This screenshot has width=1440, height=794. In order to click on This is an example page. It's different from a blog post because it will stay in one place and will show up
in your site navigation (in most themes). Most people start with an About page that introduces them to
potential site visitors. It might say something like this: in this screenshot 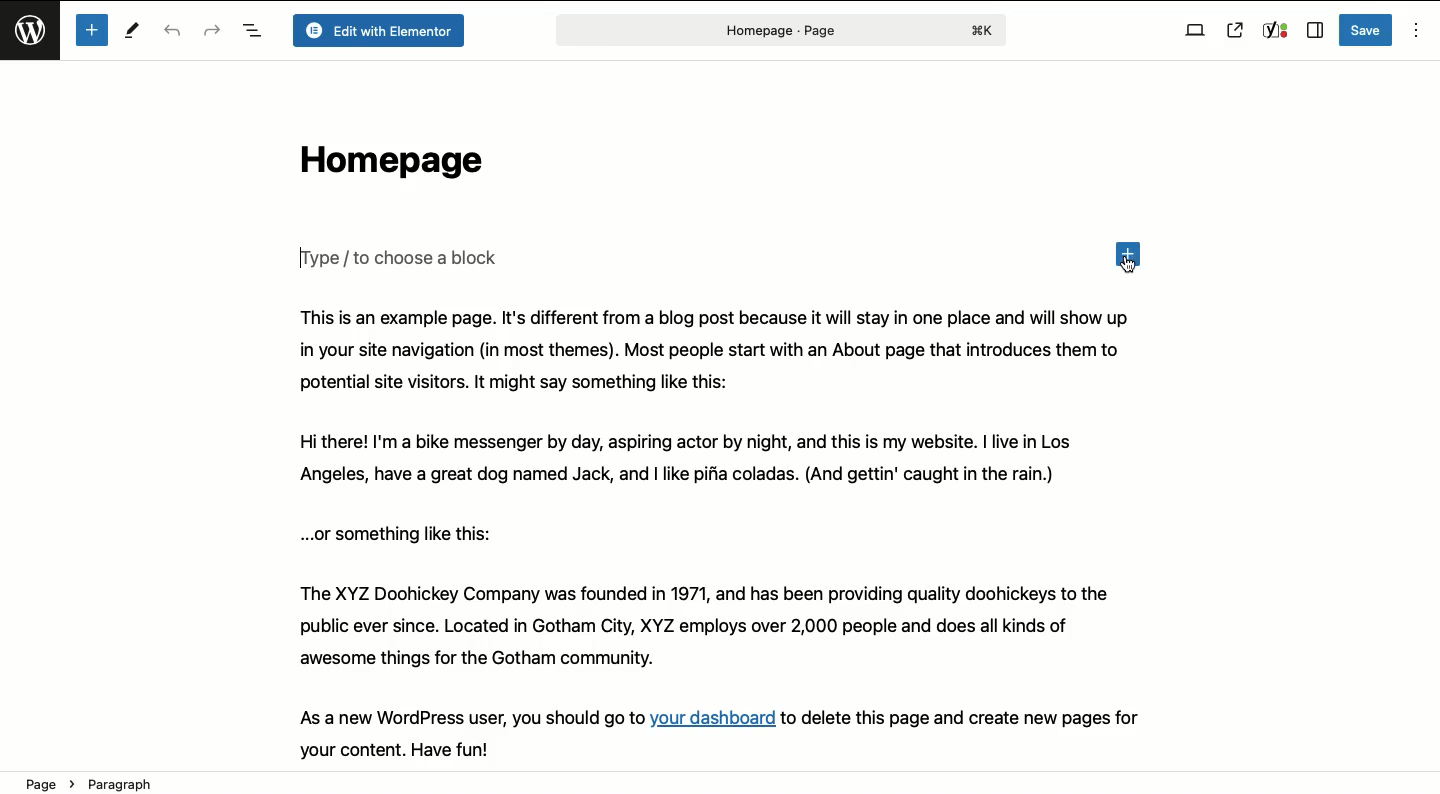, I will do `click(716, 350)`.